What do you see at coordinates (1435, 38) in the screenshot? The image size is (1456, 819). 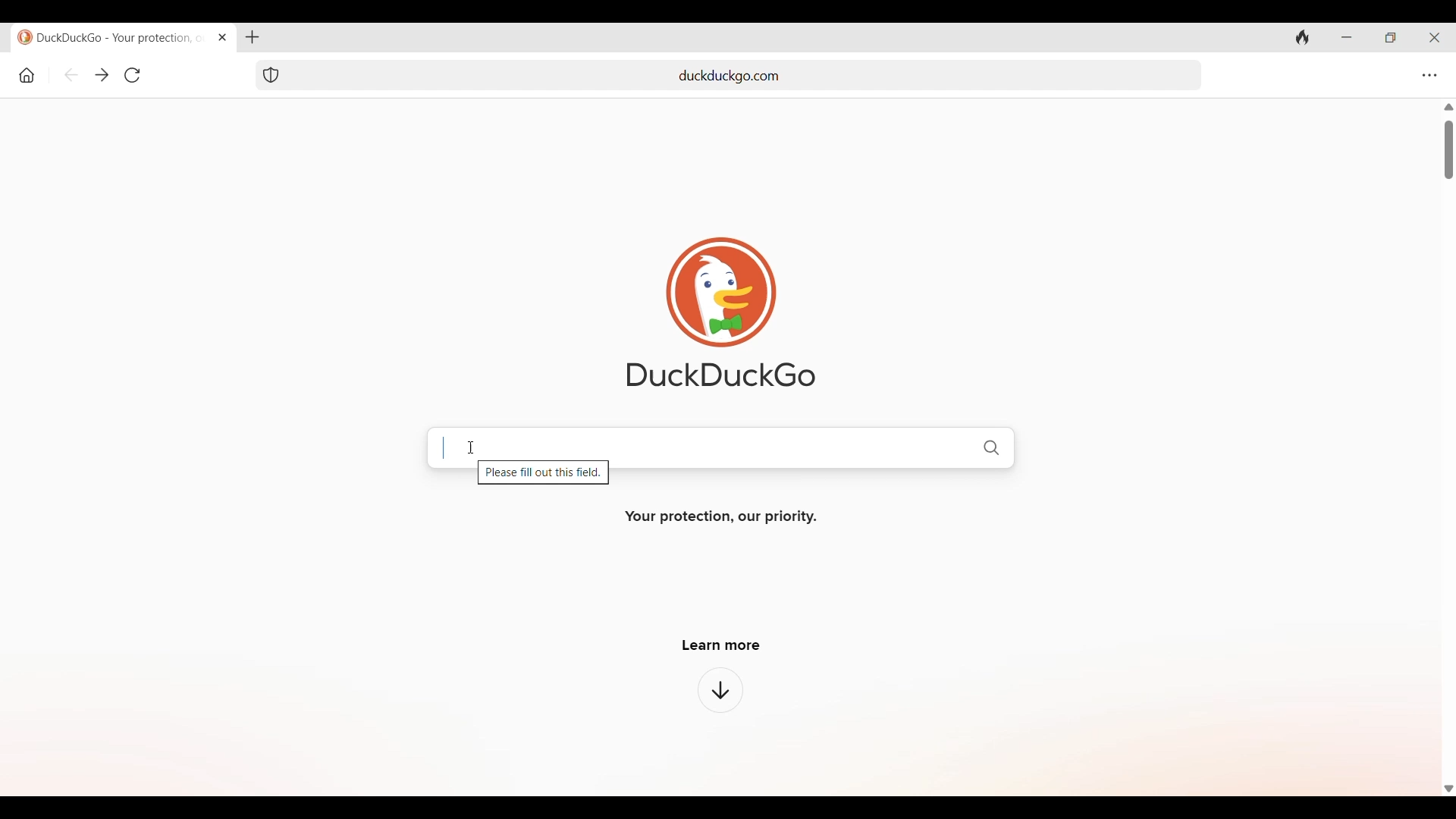 I see `Close browser` at bounding box center [1435, 38].